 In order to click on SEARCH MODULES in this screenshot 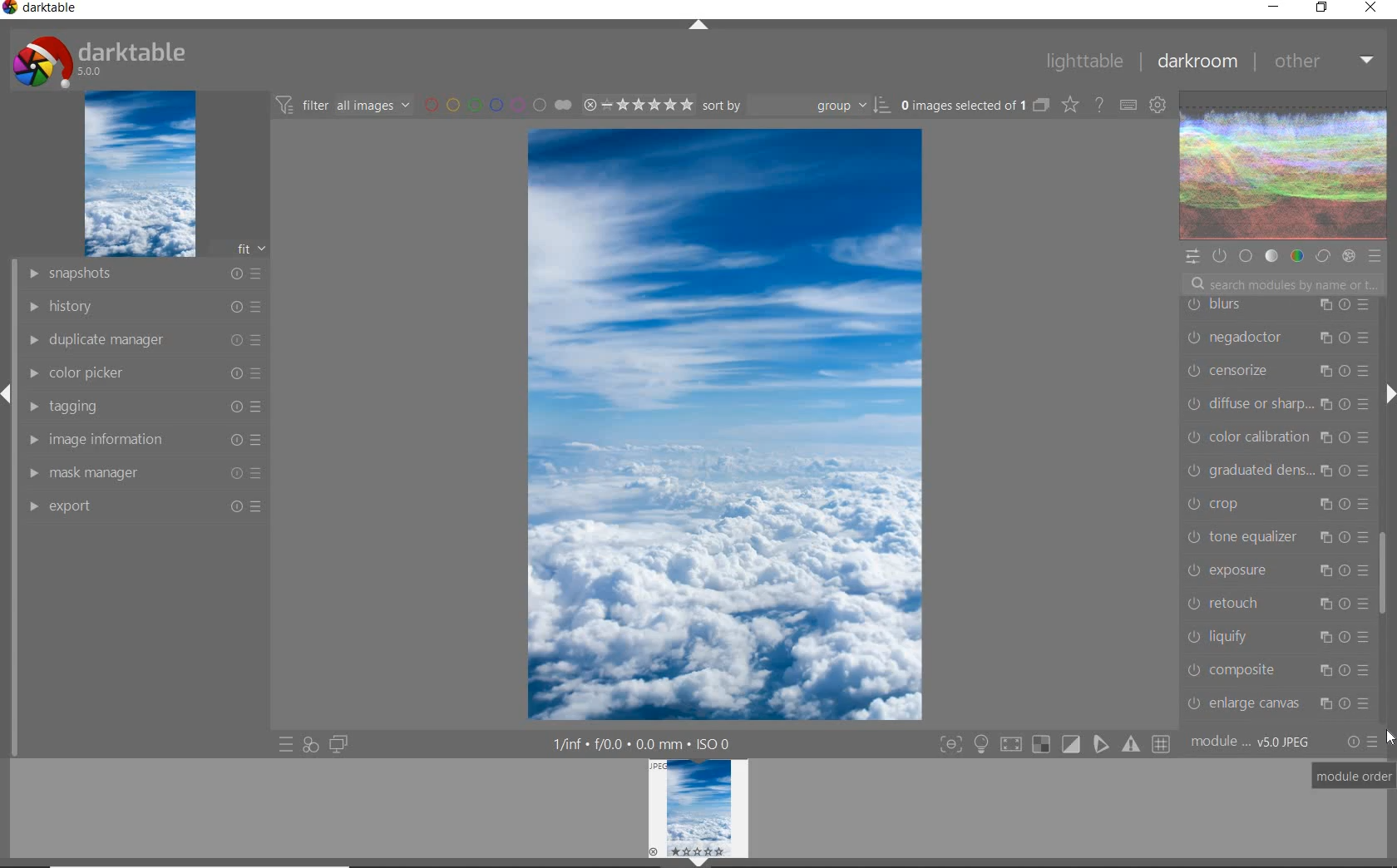, I will do `click(1283, 284)`.